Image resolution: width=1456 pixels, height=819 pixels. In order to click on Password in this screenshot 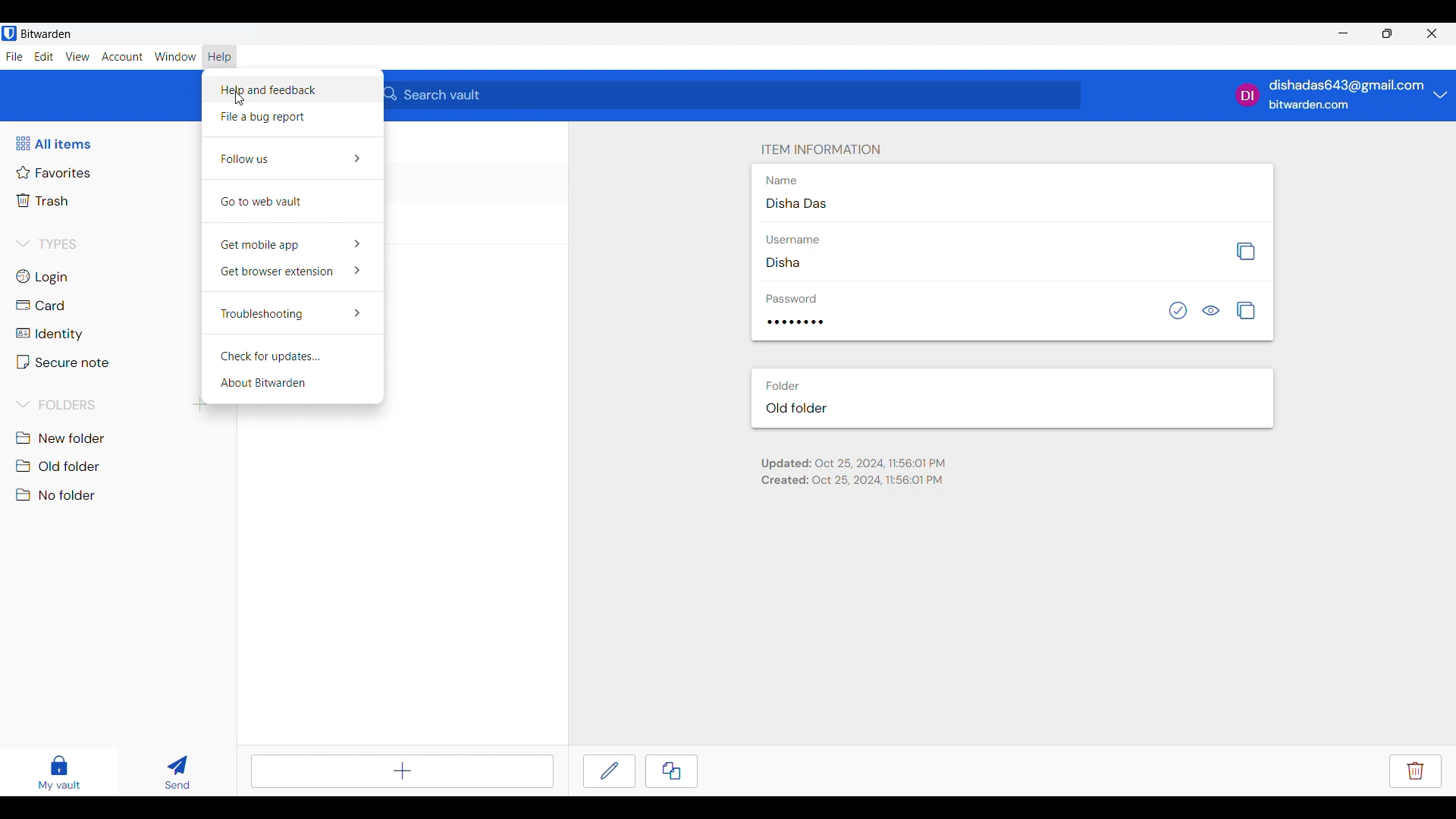, I will do `click(792, 299)`.